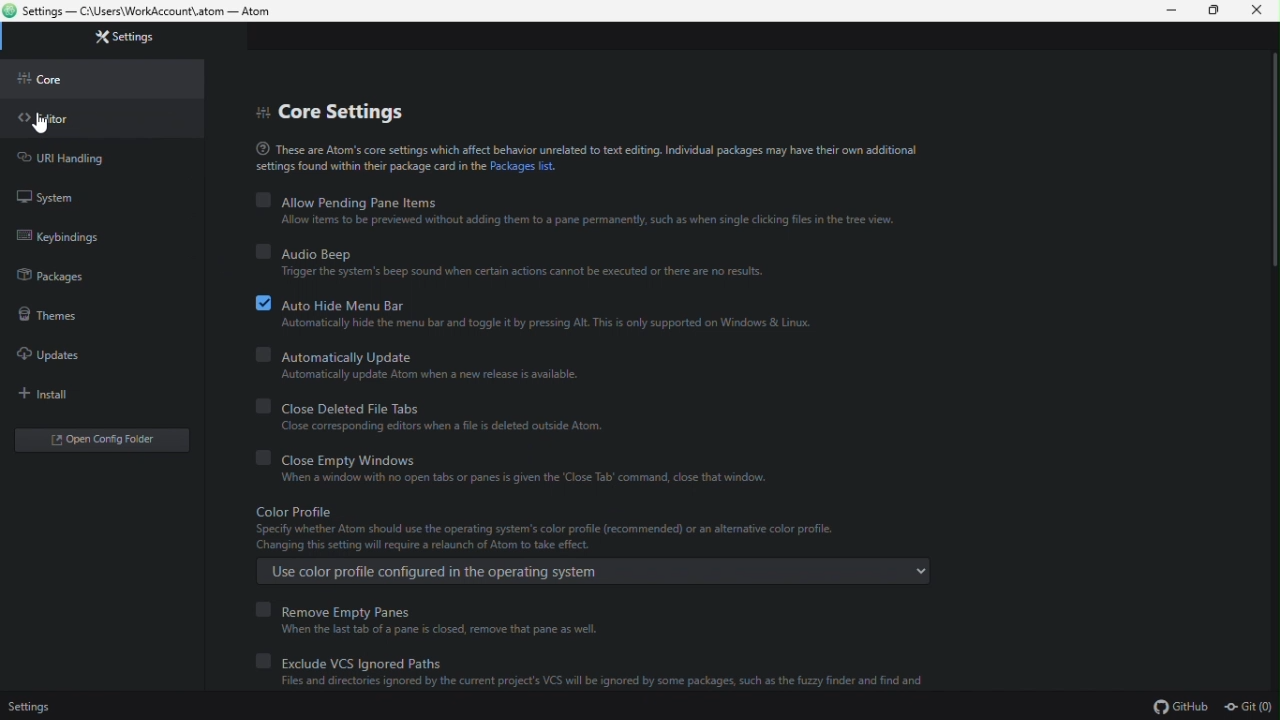 This screenshot has height=720, width=1280. Describe the element at coordinates (42, 124) in the screenshot. I see `cursor` at that location.